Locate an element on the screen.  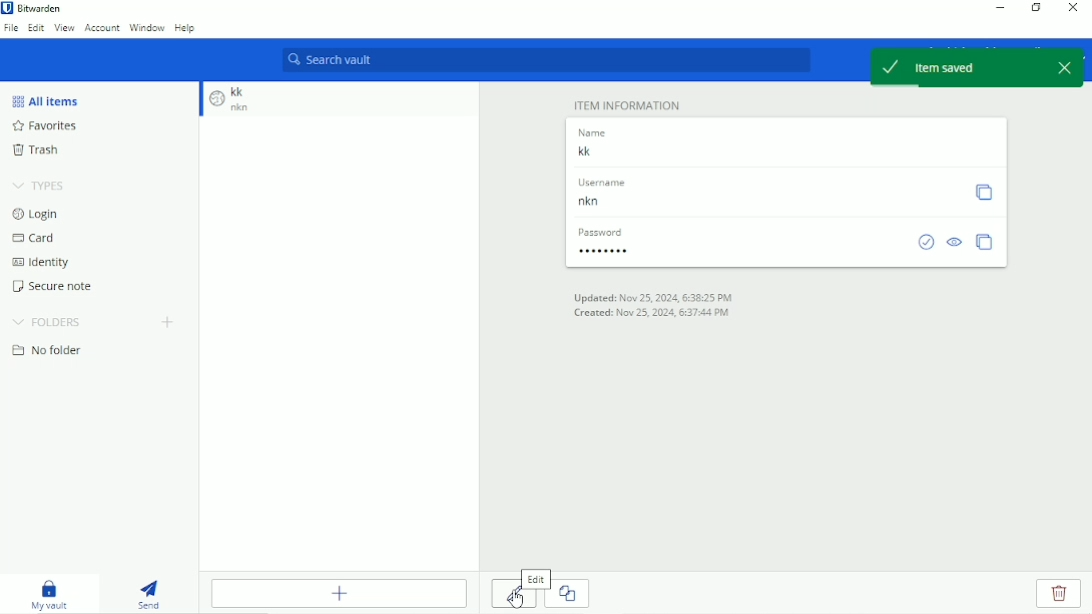
Help is located at coordinates (186, 29).